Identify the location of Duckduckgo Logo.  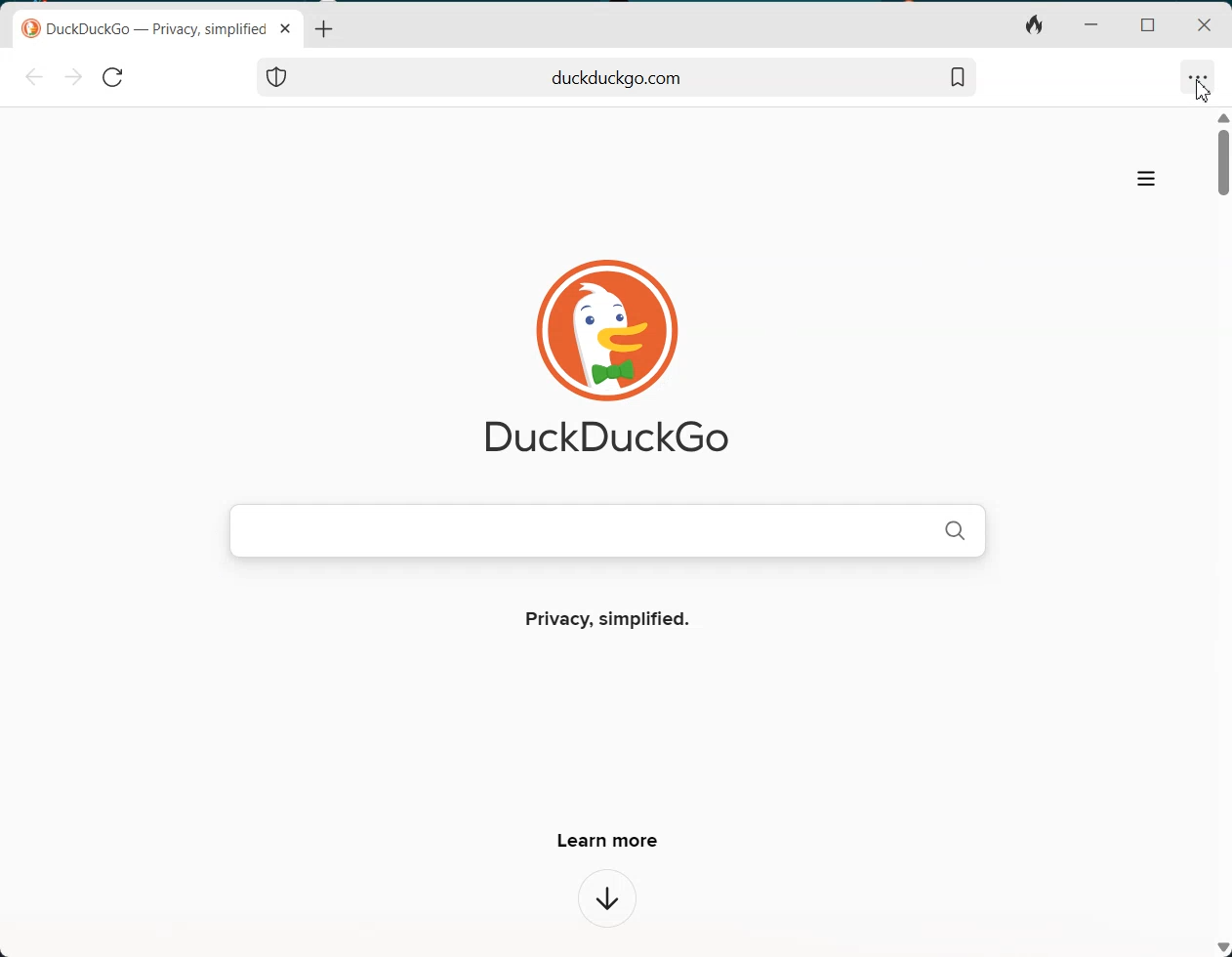
(595, 357).